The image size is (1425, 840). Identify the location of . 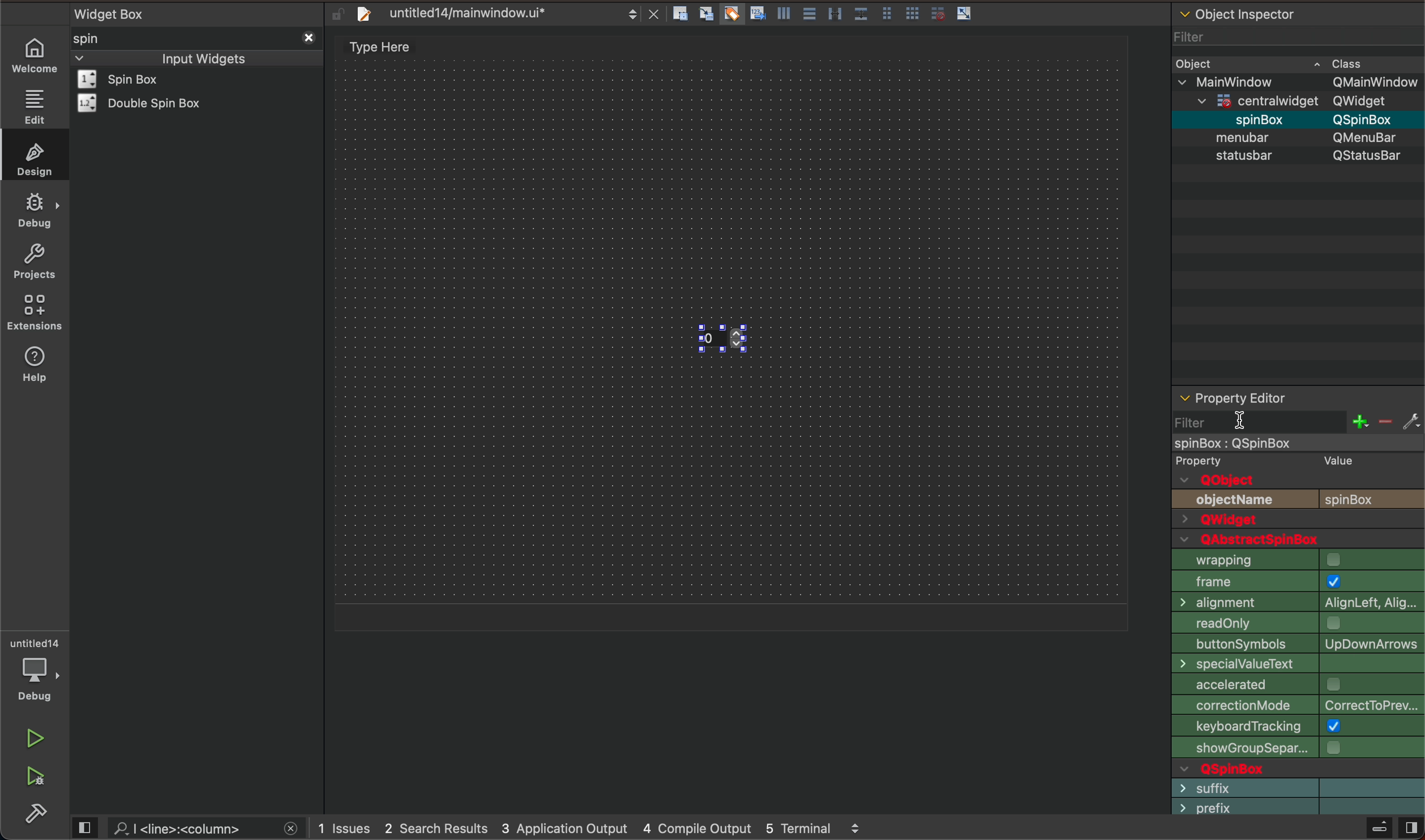
(1369, 101).